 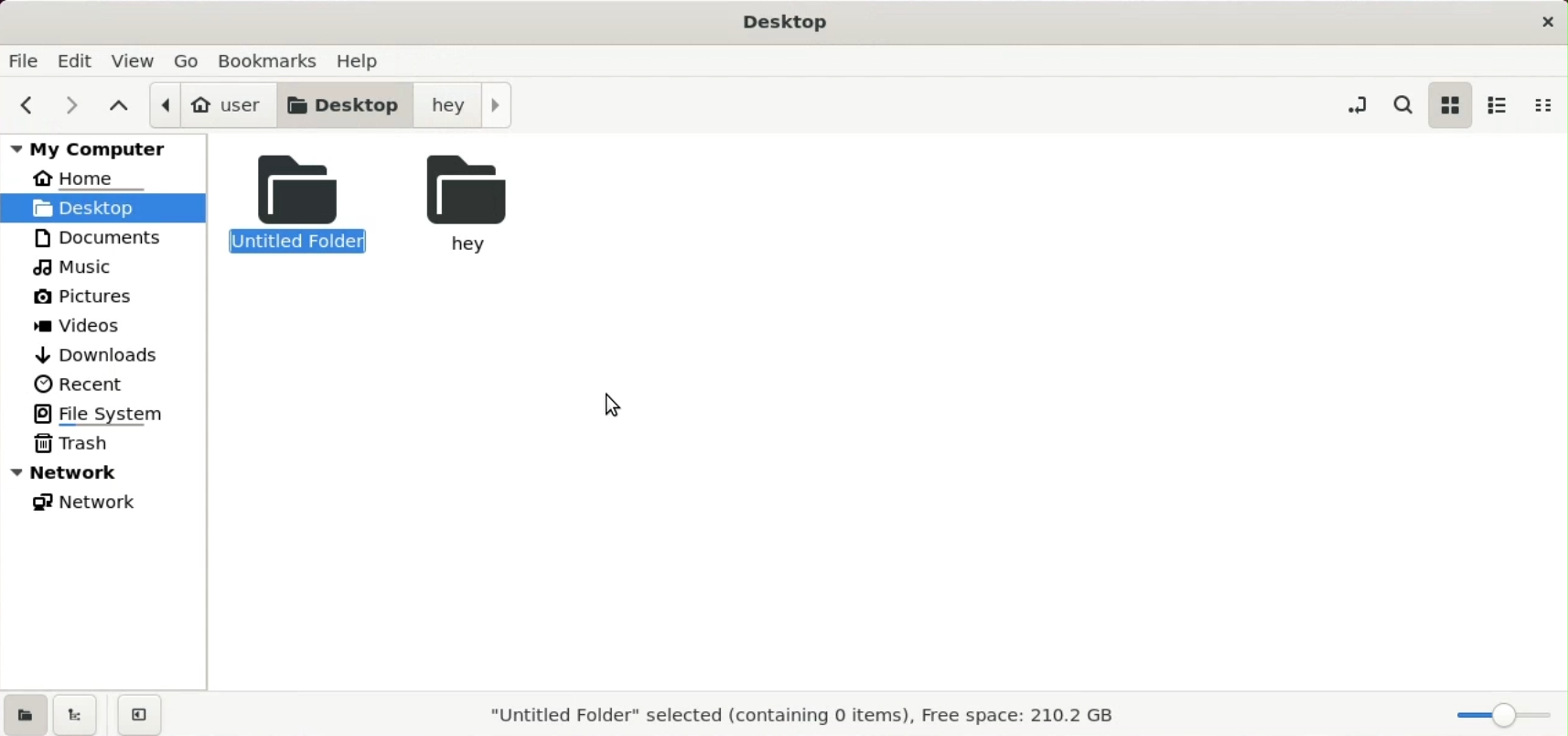 I want to click on previous, so click(x=27, y=104).